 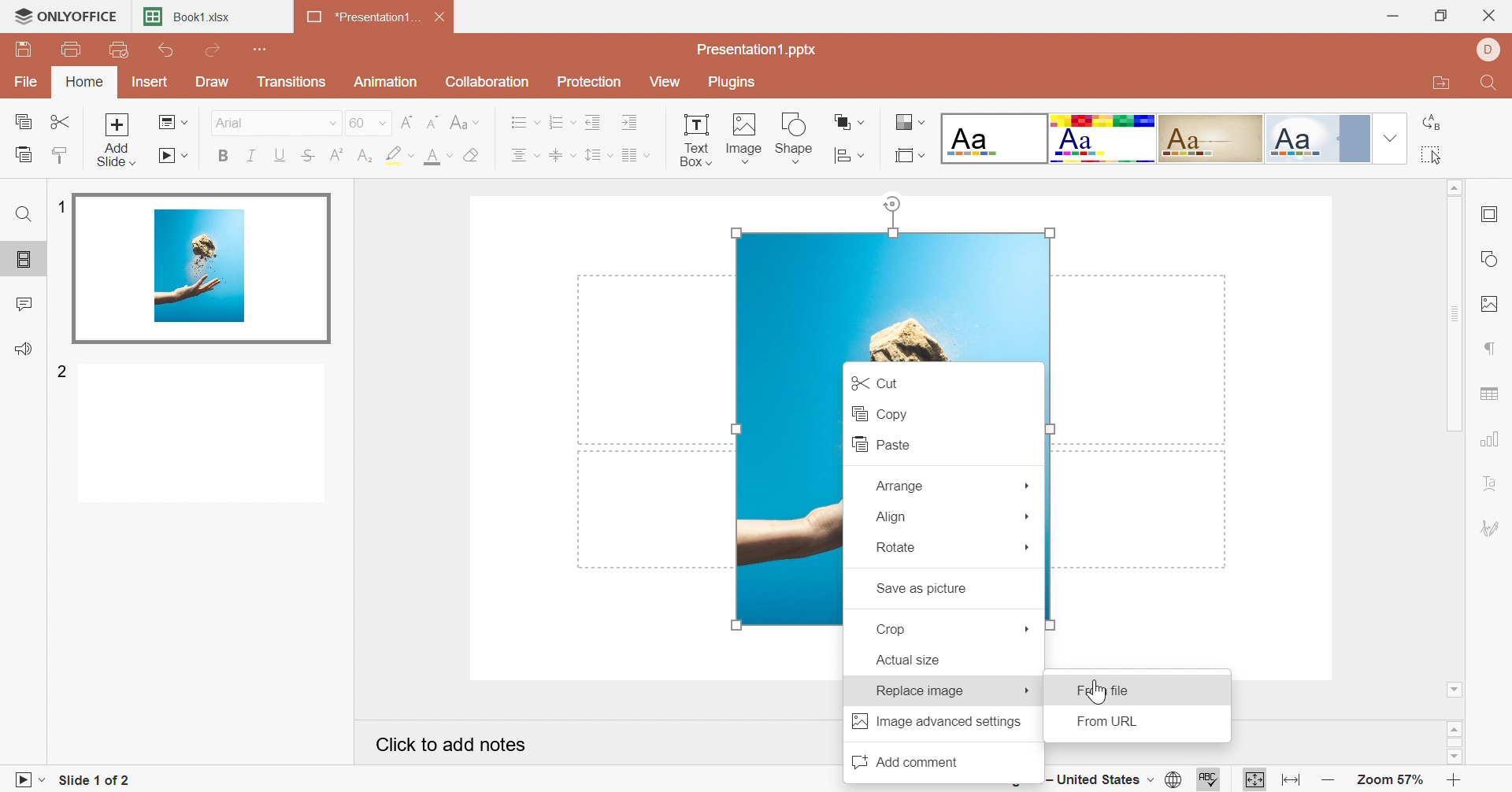 What do you see at coordinates (888, 294) in the screenshot?
I see `image` at bounding box center [888, 294].